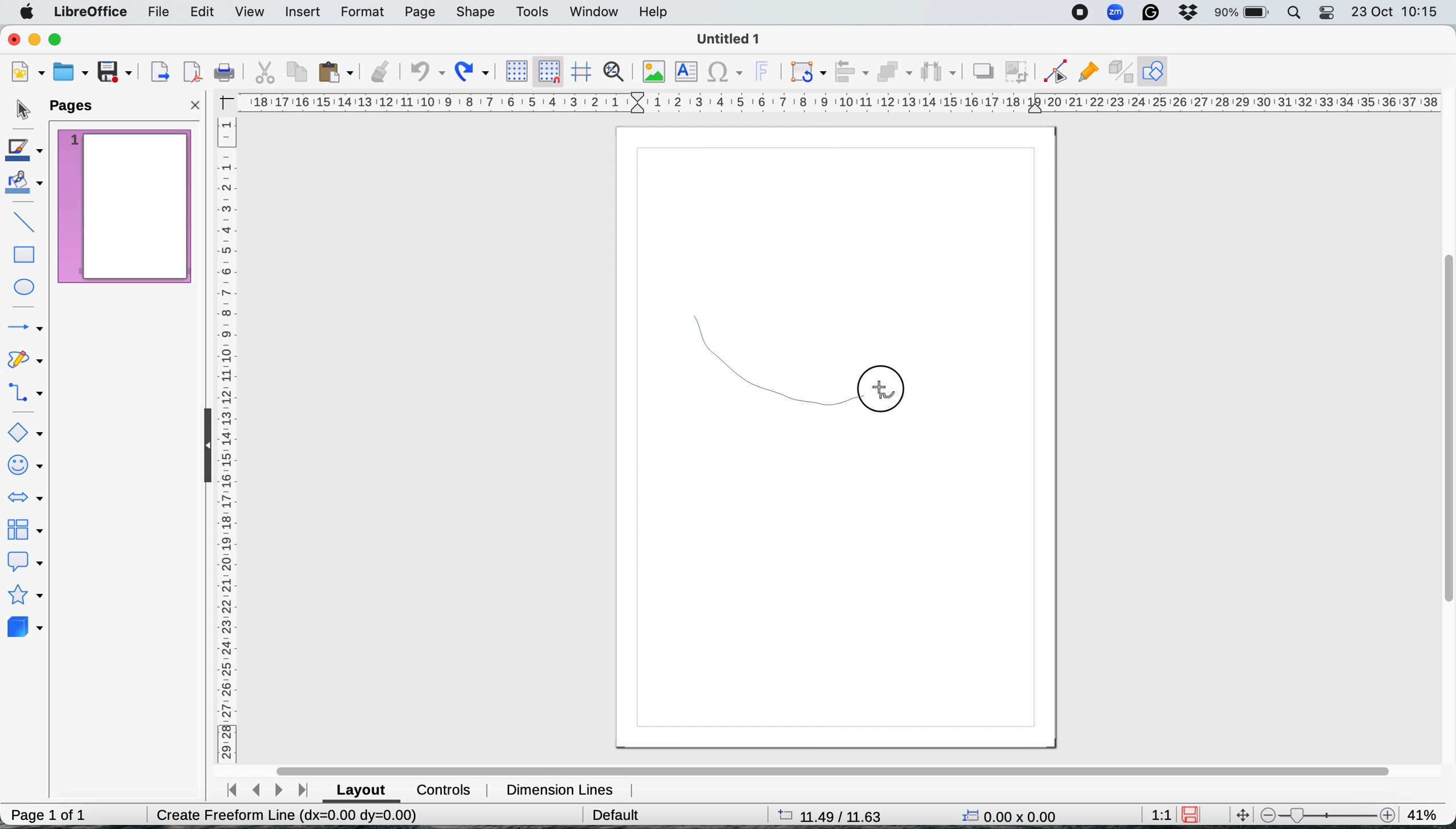 This screenshot has width=1456, height=829. What do you see at coordinates (851, 72) in the screenshot?
I see `align objects` at bounding box center [851, 72].